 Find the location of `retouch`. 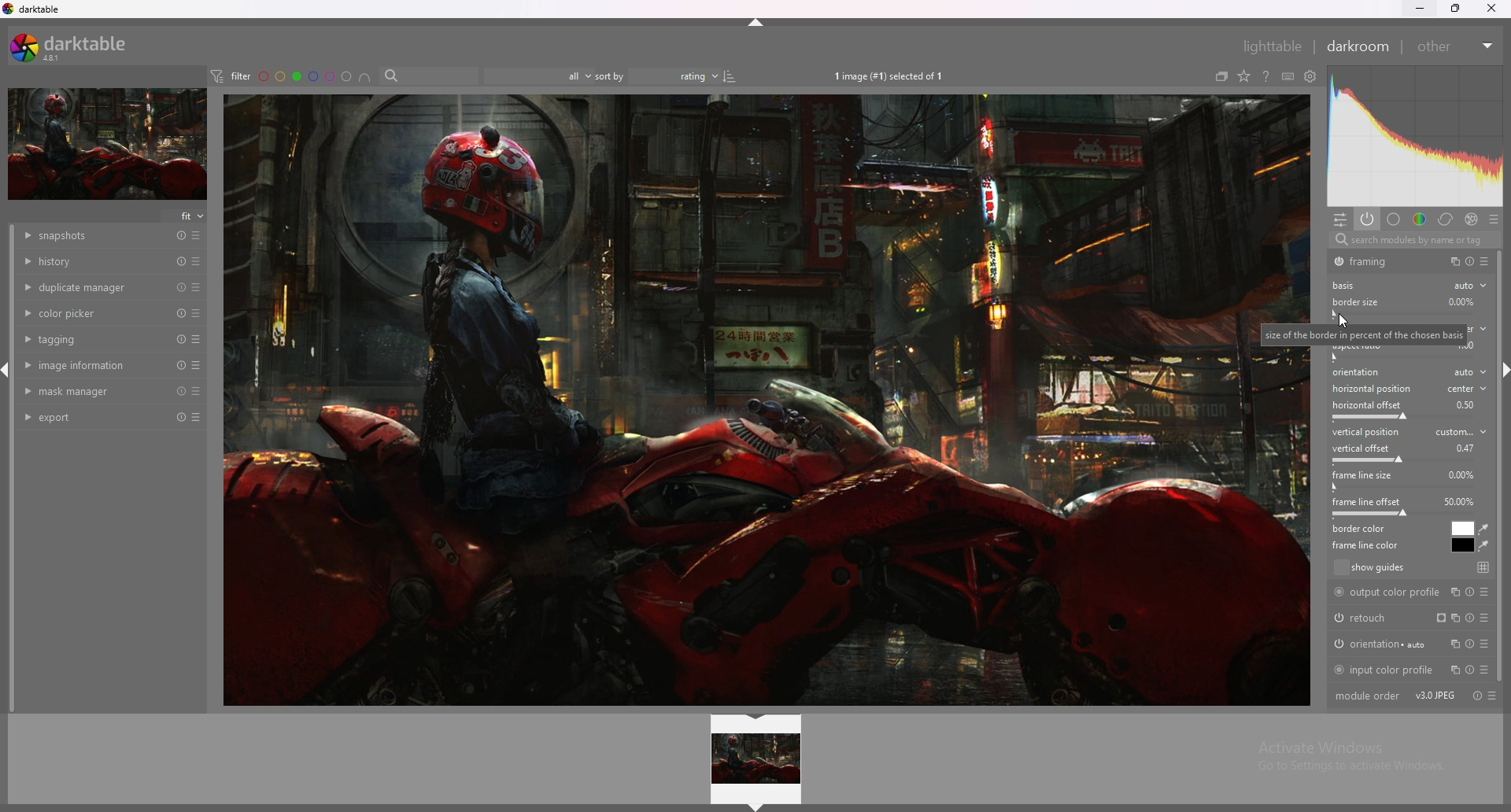

retouch is located at coordinates (1406, 617).